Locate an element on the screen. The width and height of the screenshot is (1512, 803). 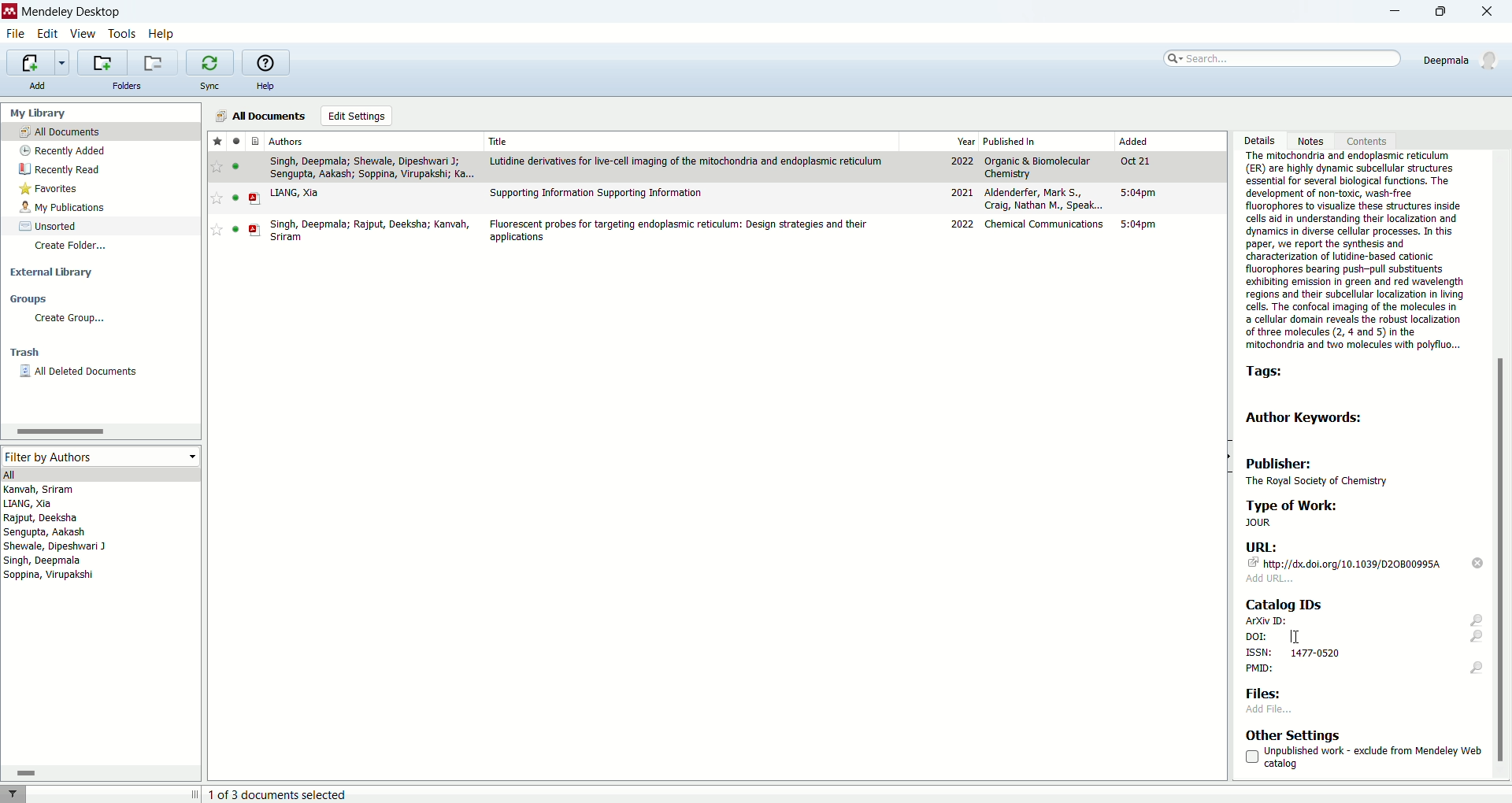
unpublished work - exclude from mendeley web catalog is located at coordinates (1363, 757).